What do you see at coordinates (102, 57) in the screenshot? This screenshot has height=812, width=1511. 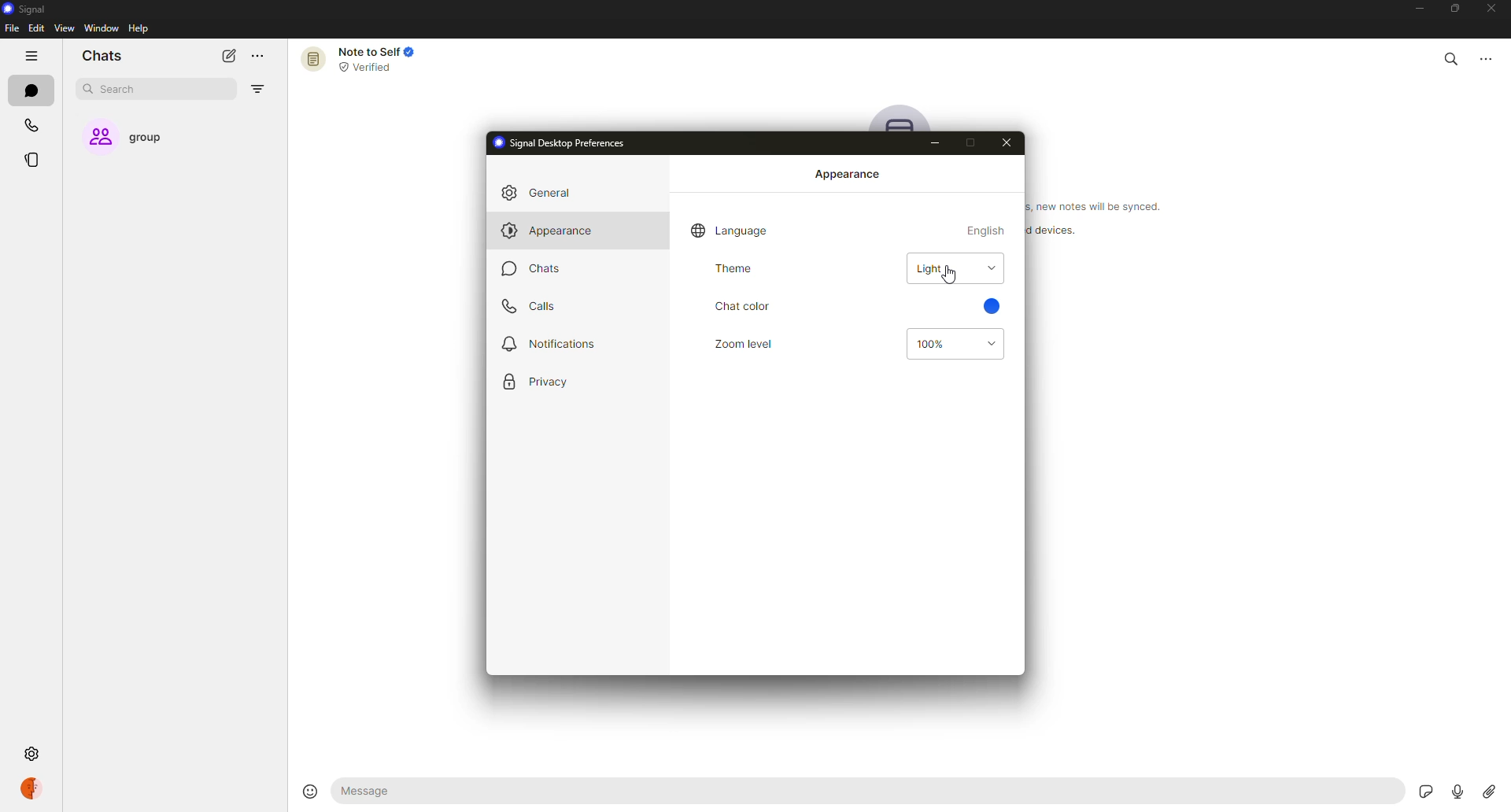 I see `chats` at bounding box center [102, 57].